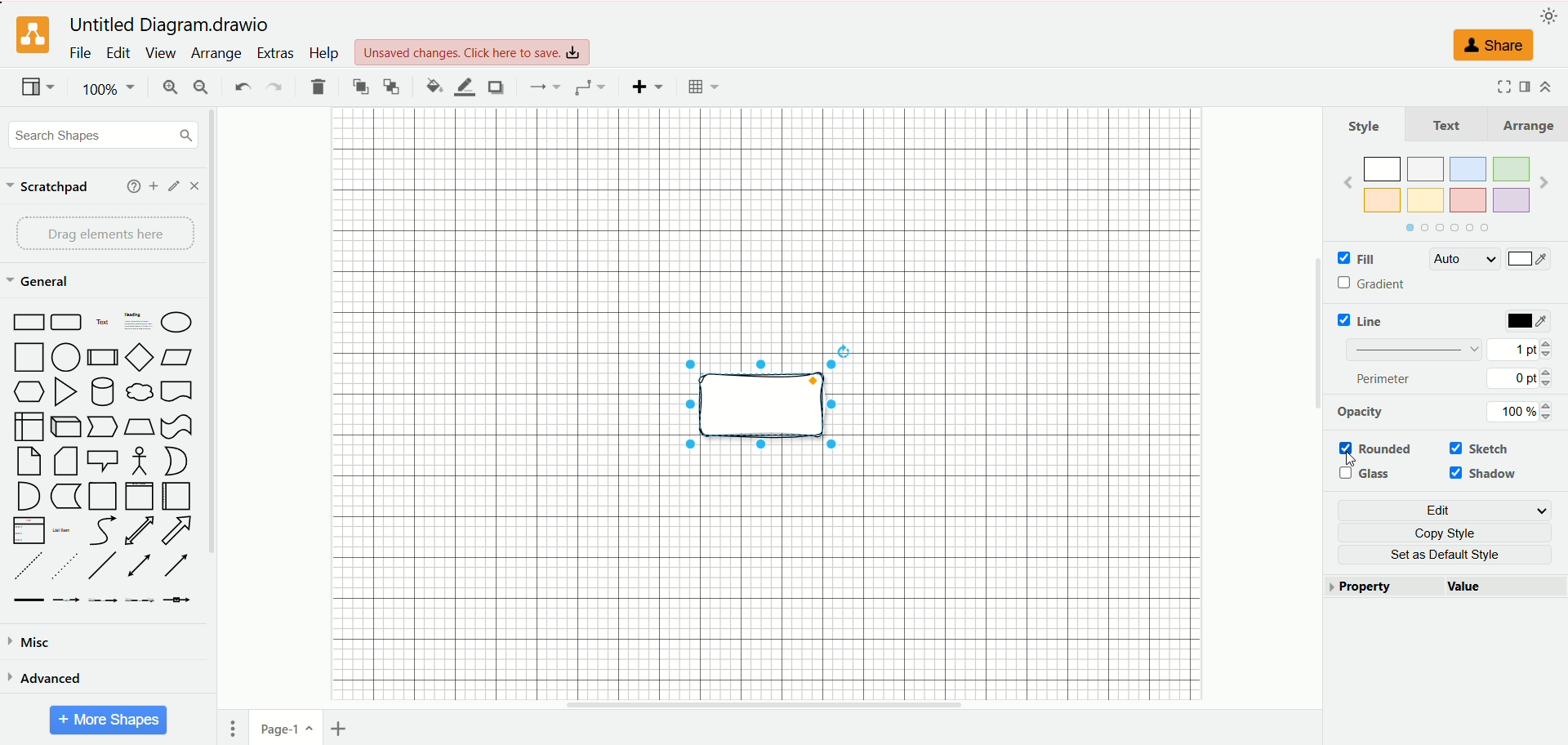  What do you see at coordinates (1520, 348) in the screenshot?
I see `1 pt` at bounding box center [1520, 348].